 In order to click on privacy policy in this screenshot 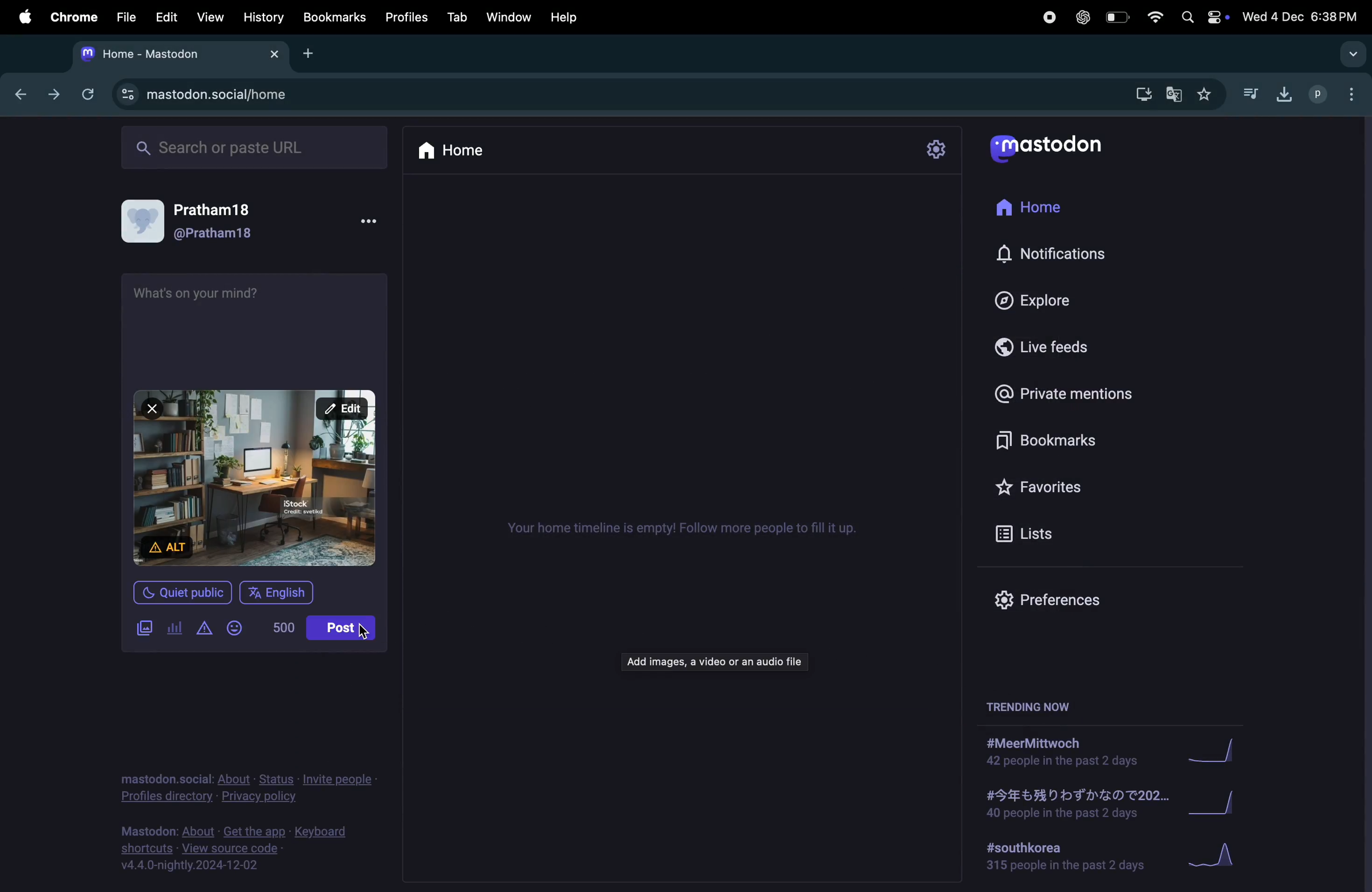, I will do `click(246, 784)`.